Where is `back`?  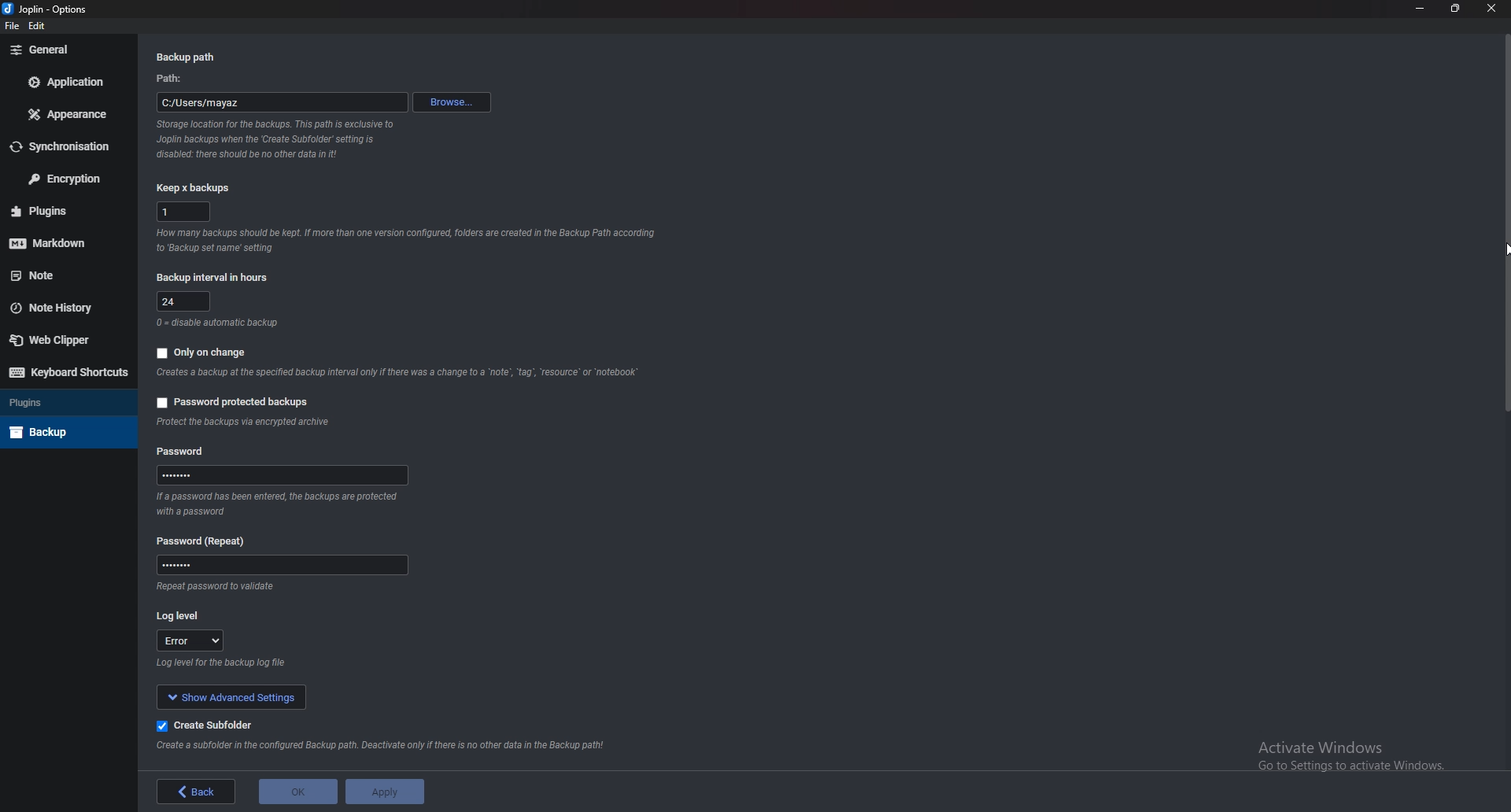
back is located at coordinates (196, 792).